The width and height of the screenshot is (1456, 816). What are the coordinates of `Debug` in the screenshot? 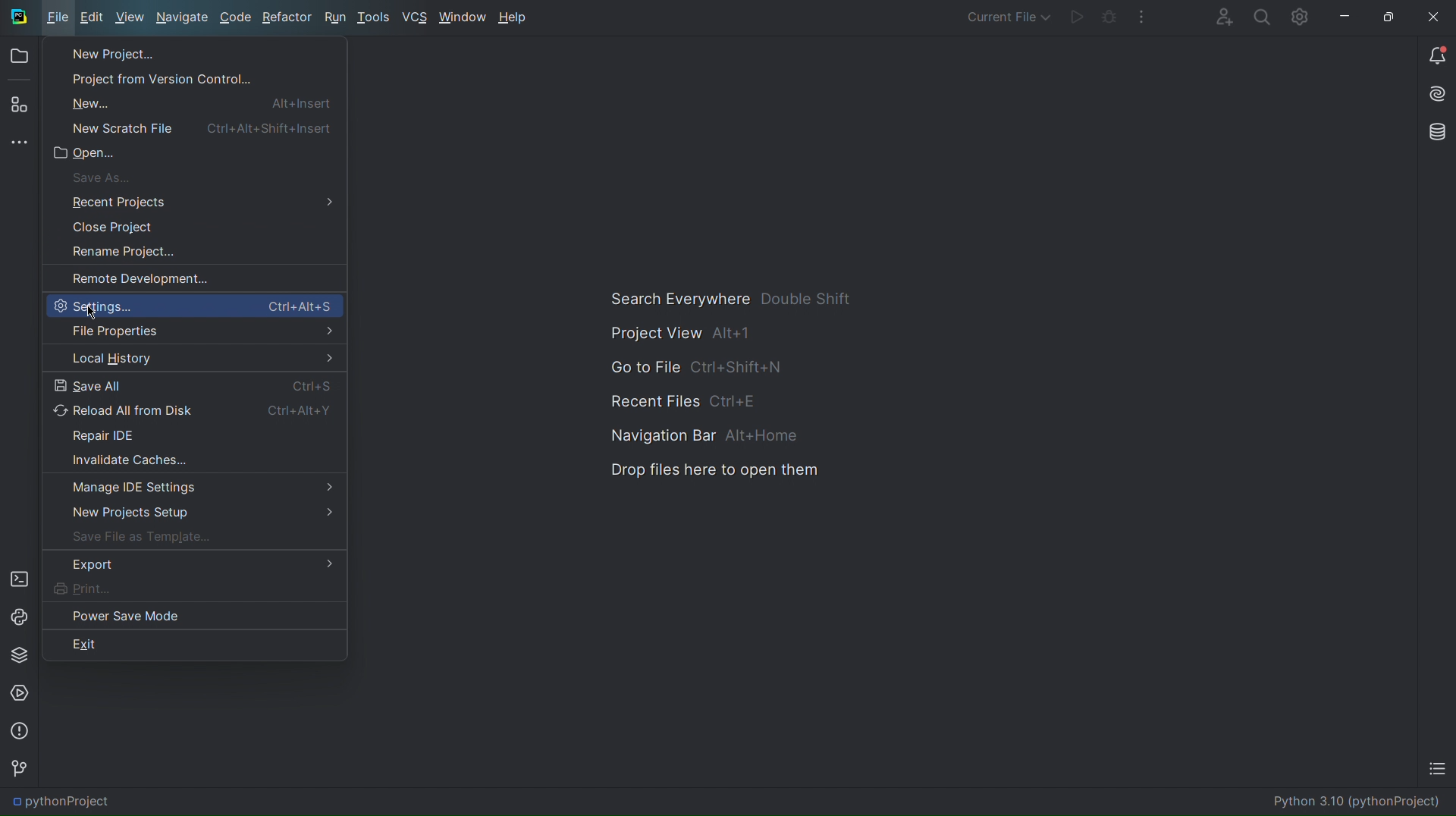 It's located at (1107, 19).